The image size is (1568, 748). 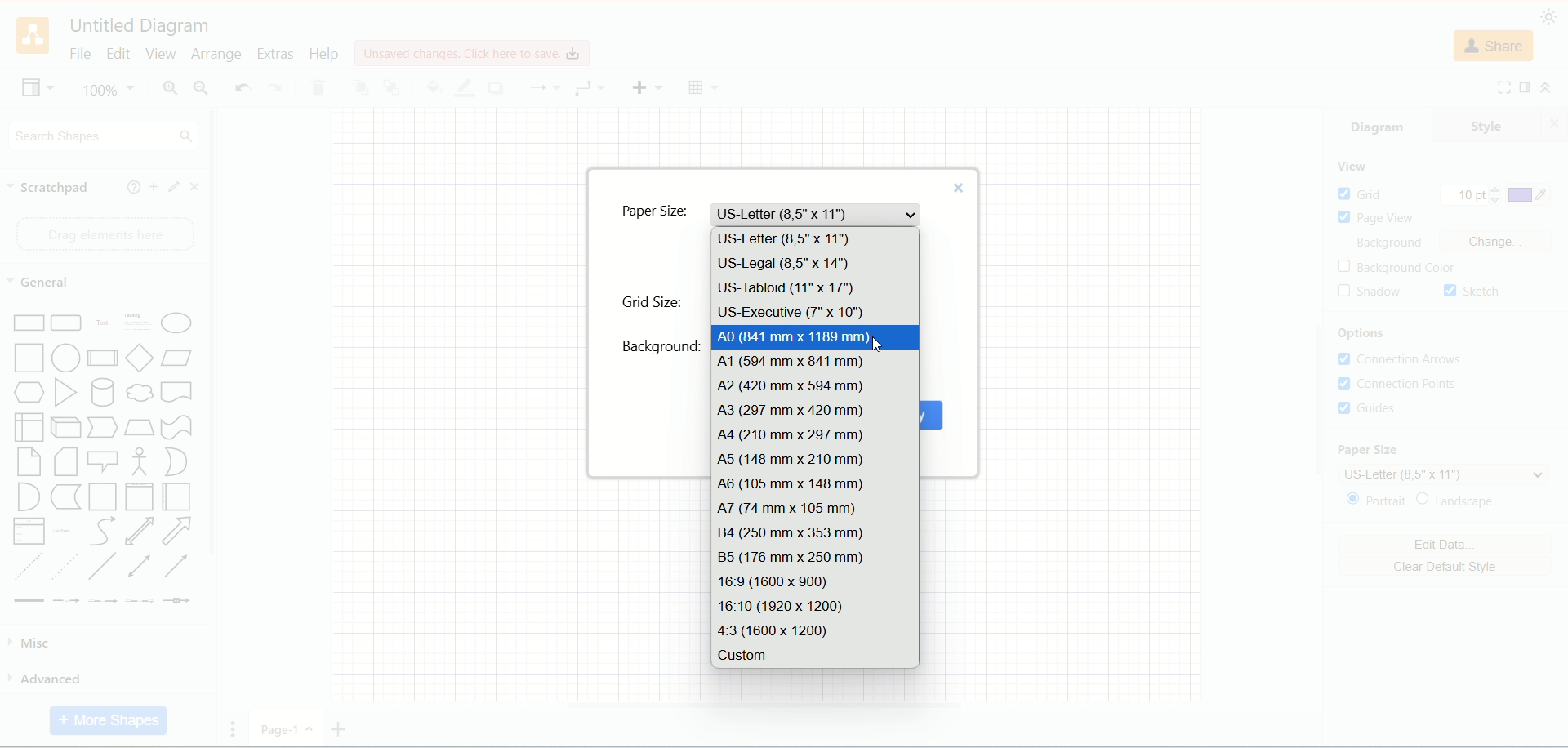 What do you see at coordinates (704, 87) in the screenshot?
I see `Table` at bounding box center [704, 87].